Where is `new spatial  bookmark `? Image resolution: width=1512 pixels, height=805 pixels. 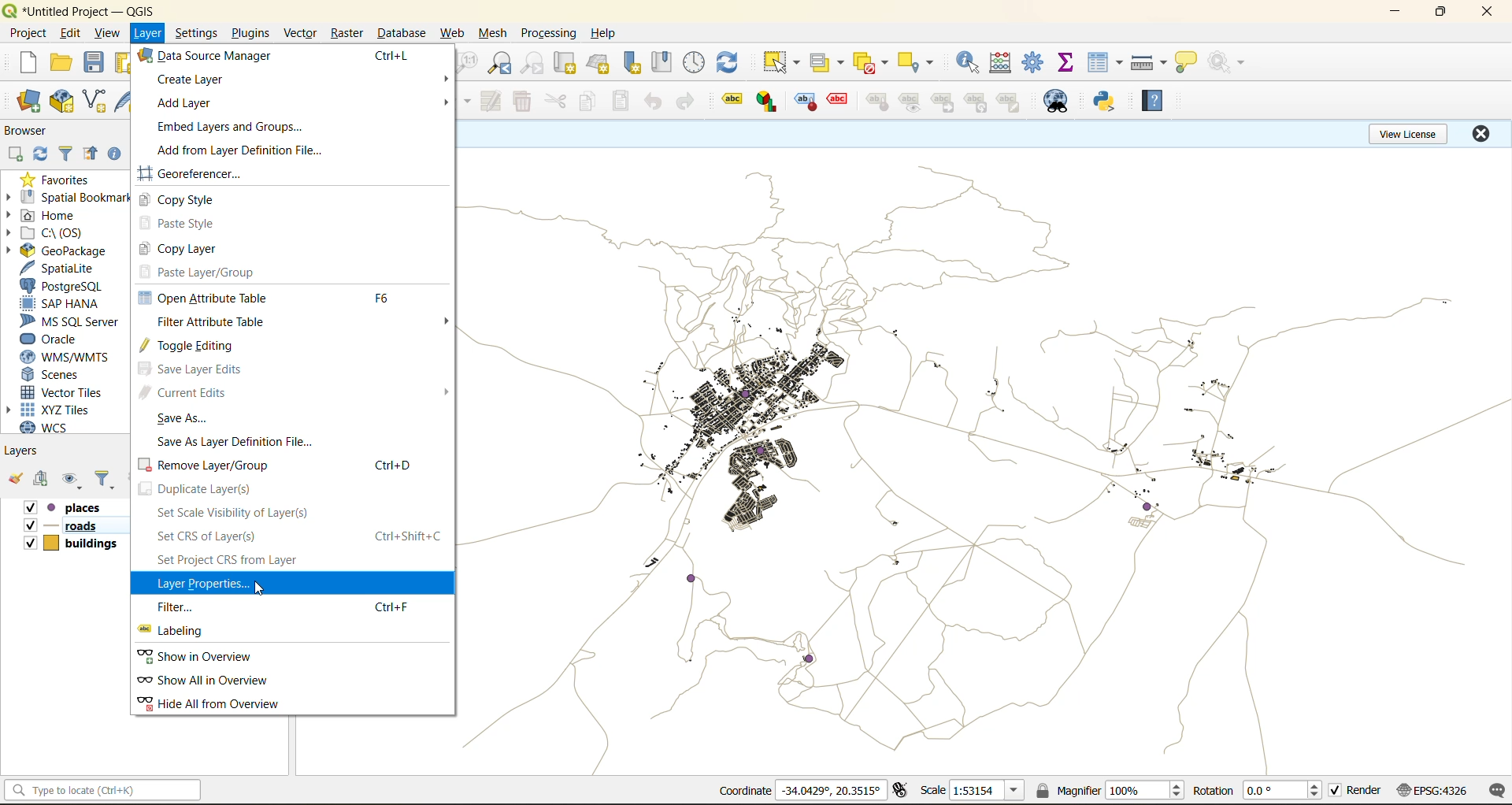
new spatial  bookmark  is located at coordinates (636, 65).